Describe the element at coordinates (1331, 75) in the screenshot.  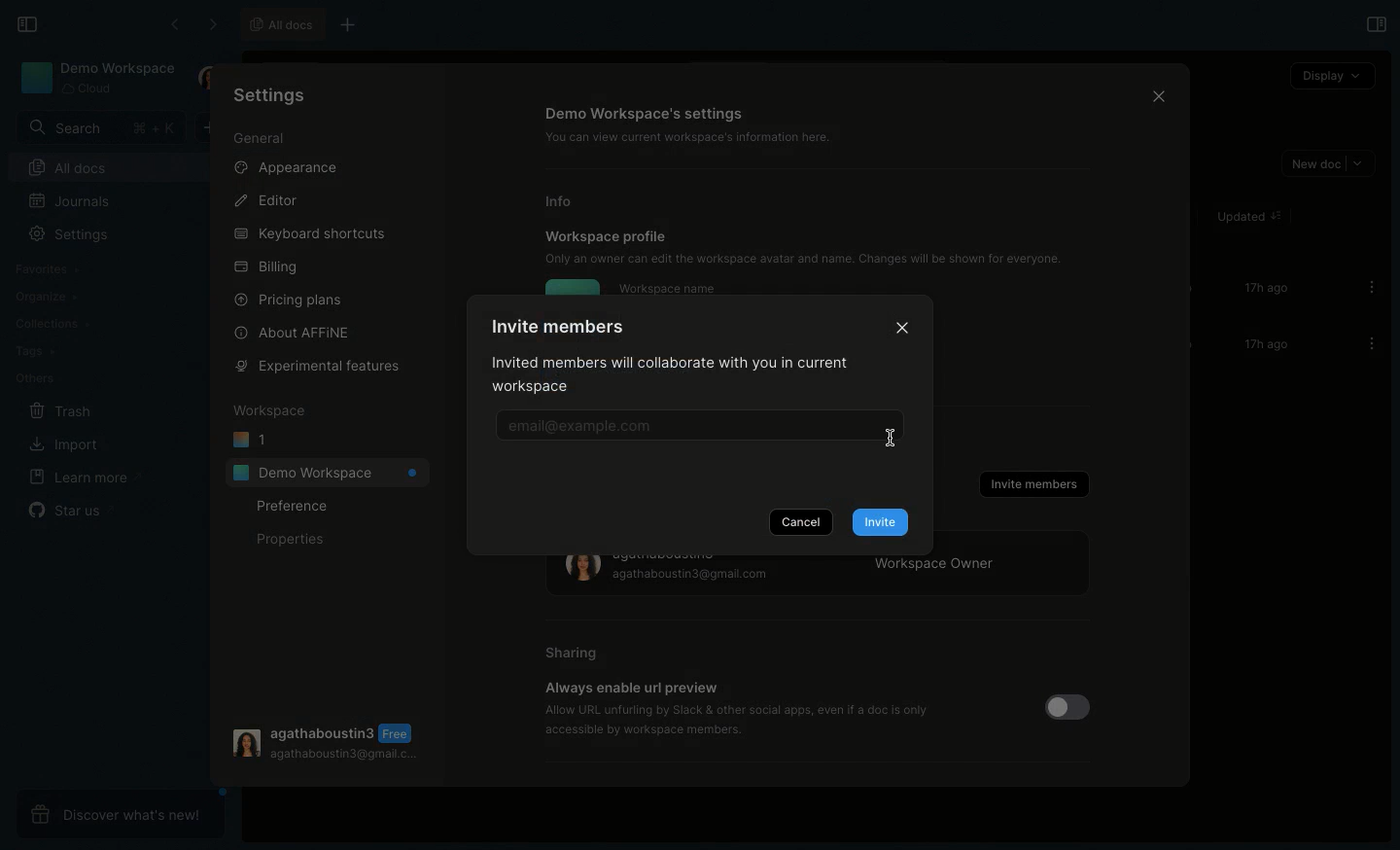
I see `Display` at that location.